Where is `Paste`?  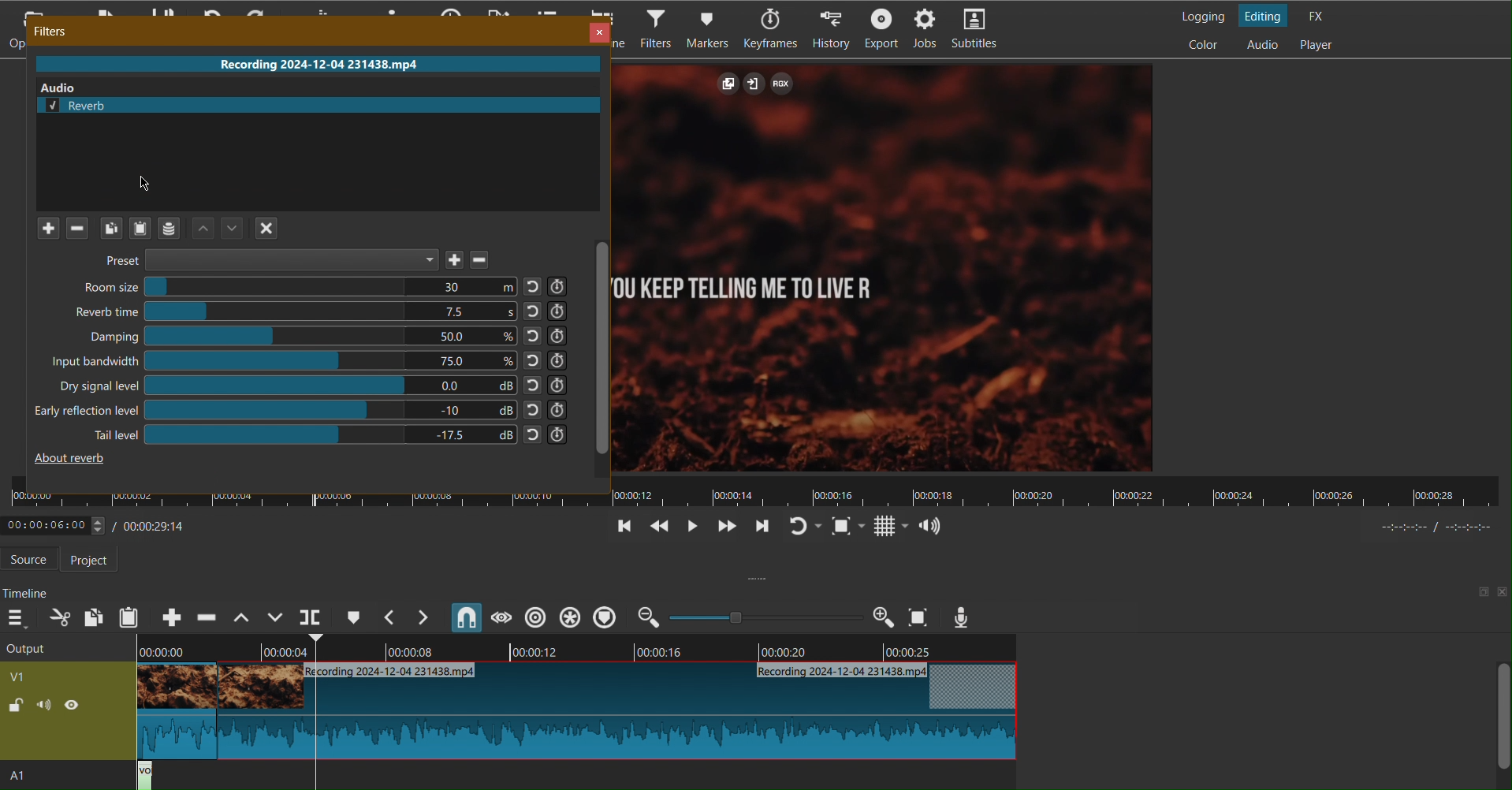
Paste is located at coordinates (130, 617).